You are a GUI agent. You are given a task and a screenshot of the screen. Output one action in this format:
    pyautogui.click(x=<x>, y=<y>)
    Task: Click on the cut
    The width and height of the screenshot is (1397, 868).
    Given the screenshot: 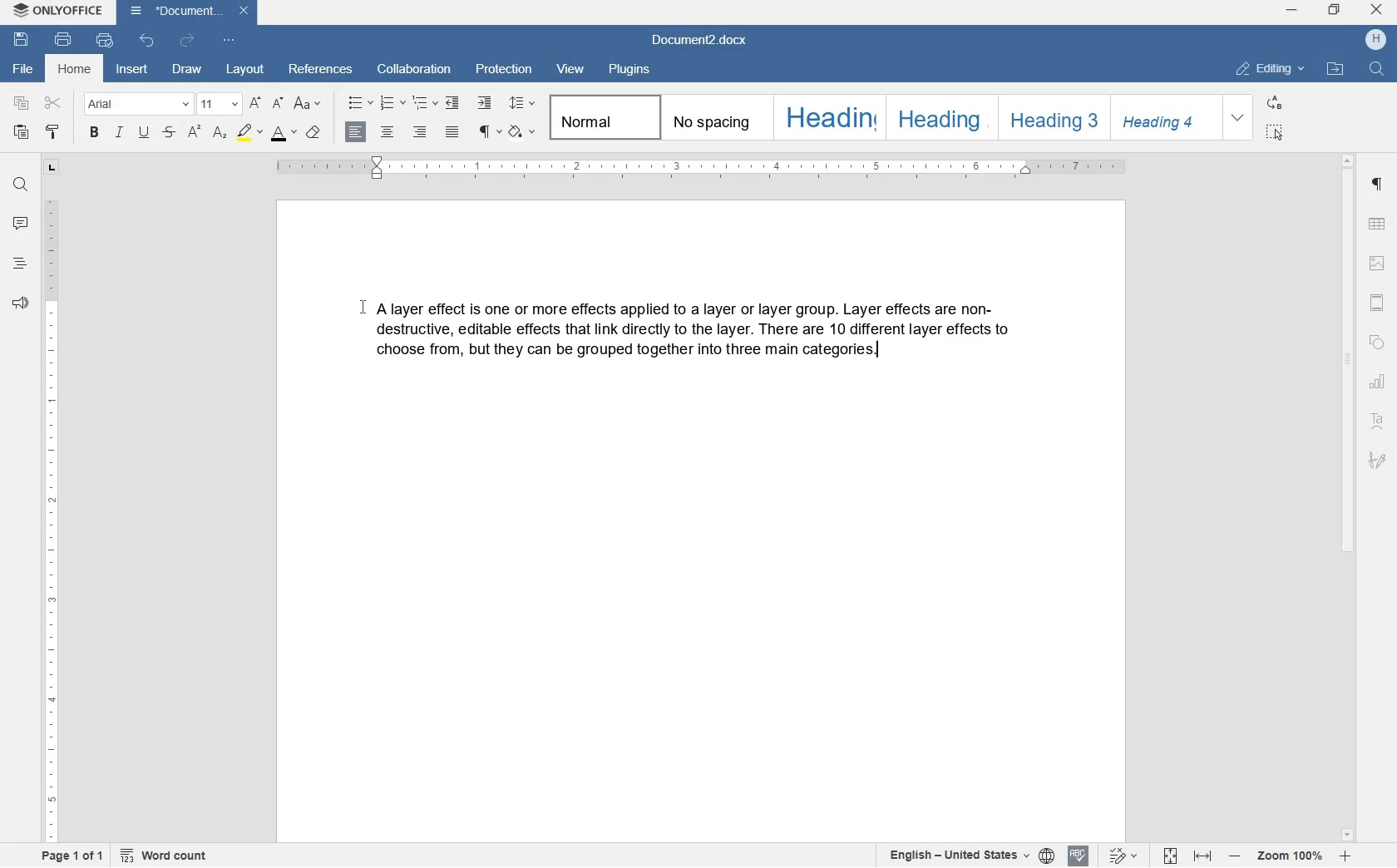 What is the action you would take?
    pyautogui.click(x=53, y=104)
    